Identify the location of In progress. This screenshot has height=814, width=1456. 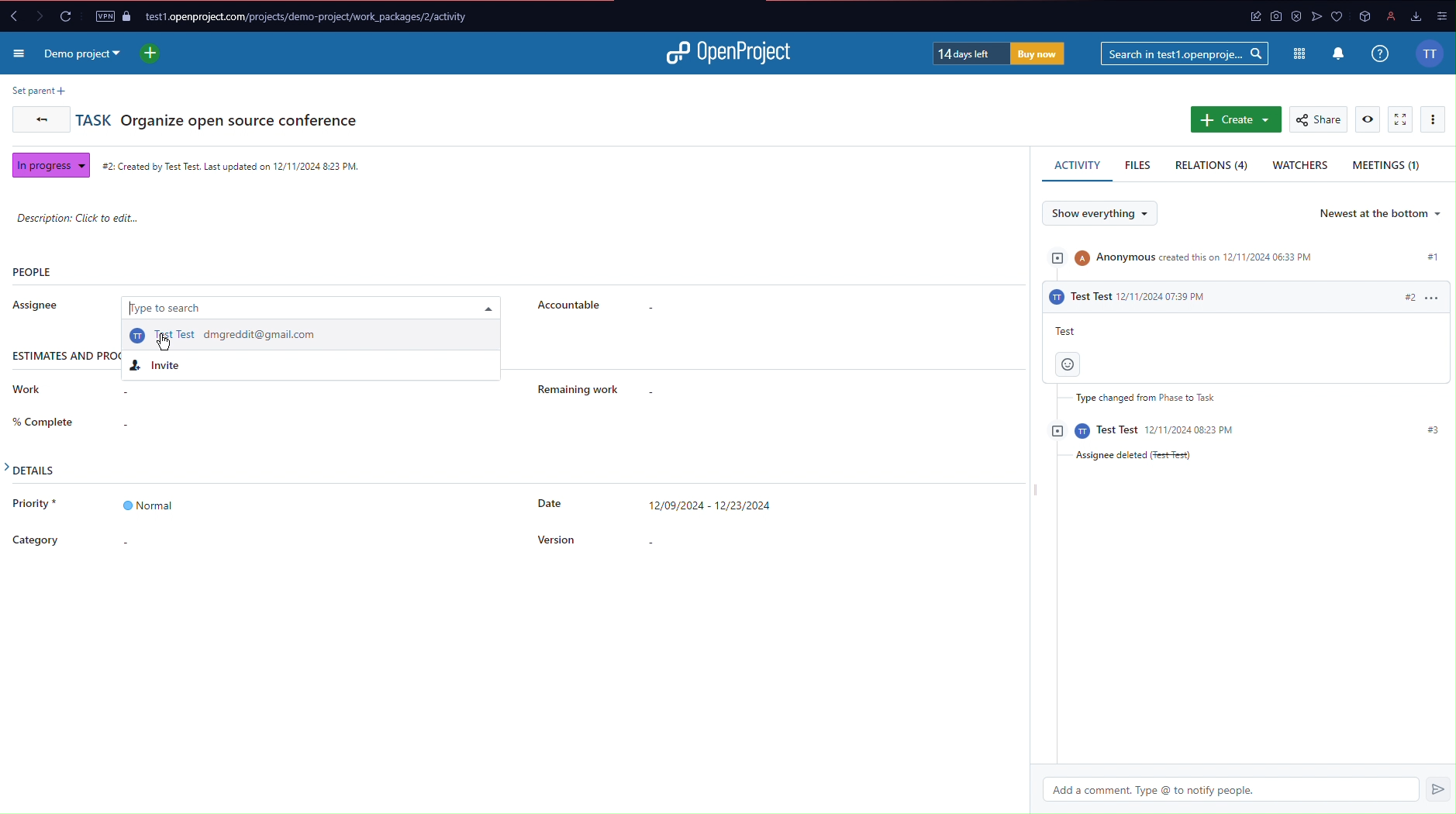
(50, 165).